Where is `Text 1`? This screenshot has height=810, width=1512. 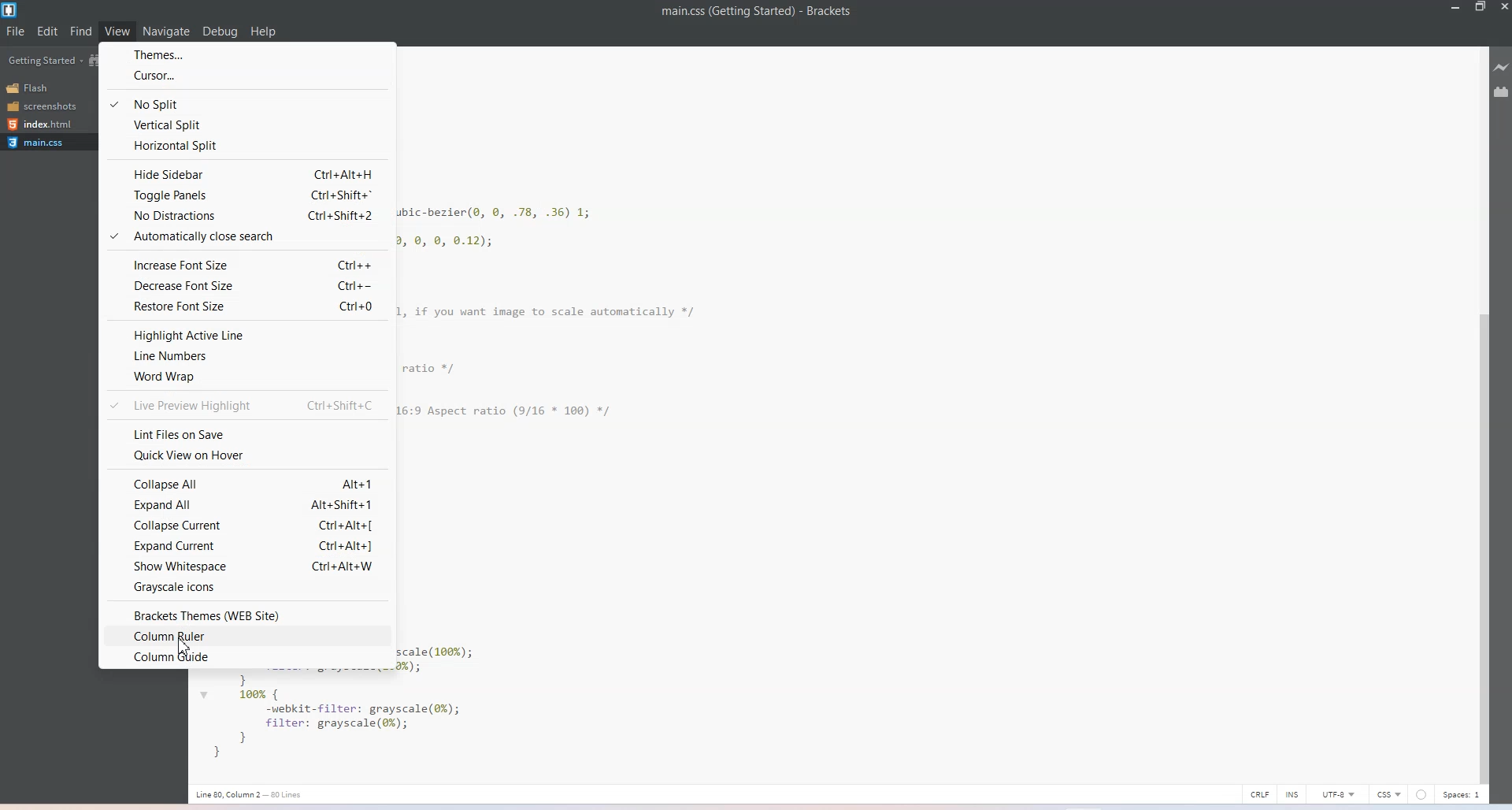
Text 1 is located at coordinates (758, 14).